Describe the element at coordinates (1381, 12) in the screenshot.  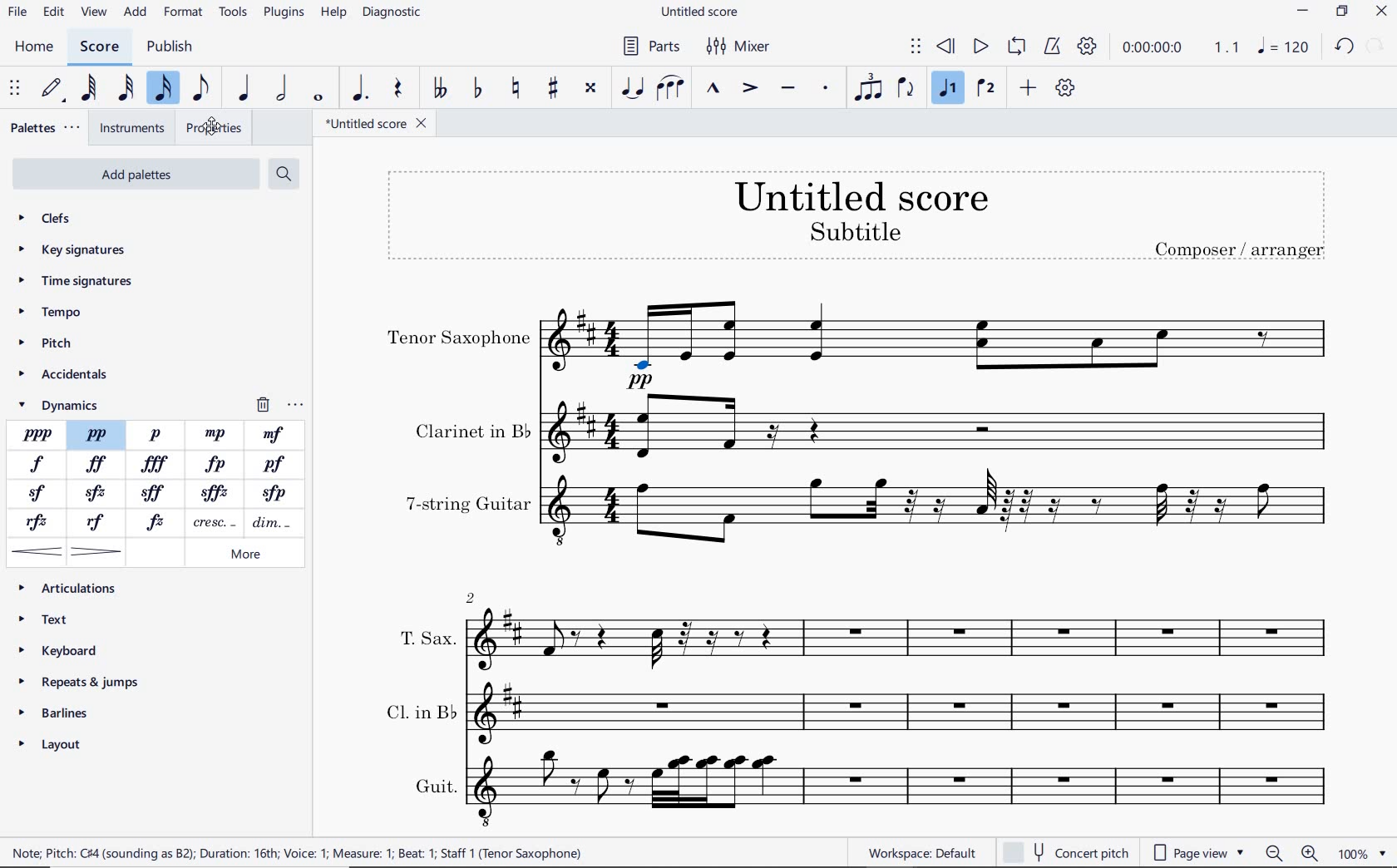
I see `close` at that location.